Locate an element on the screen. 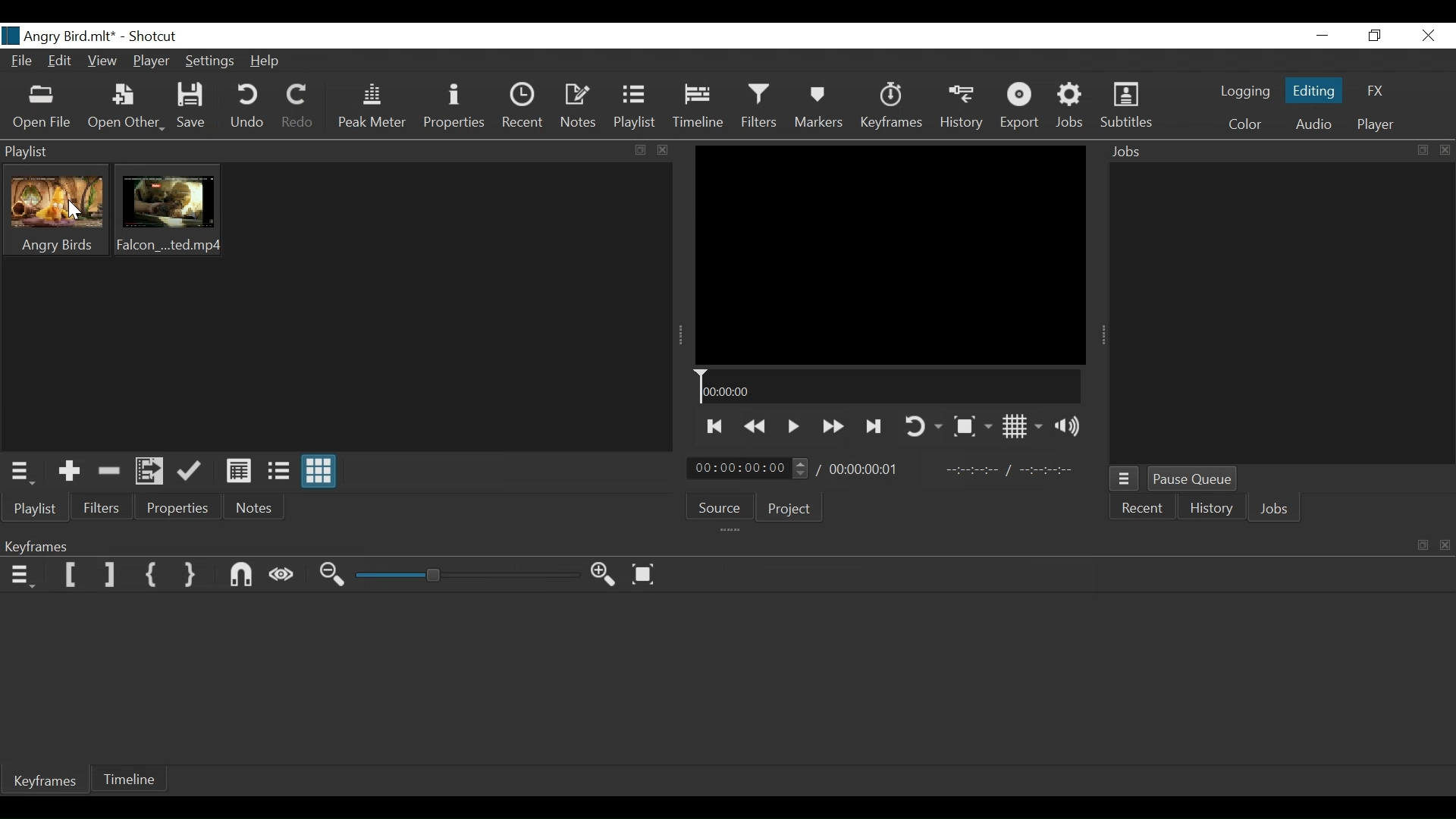 The width and height of the screenshot is (1456, 819). Filters is located at coordinates (758, 108).